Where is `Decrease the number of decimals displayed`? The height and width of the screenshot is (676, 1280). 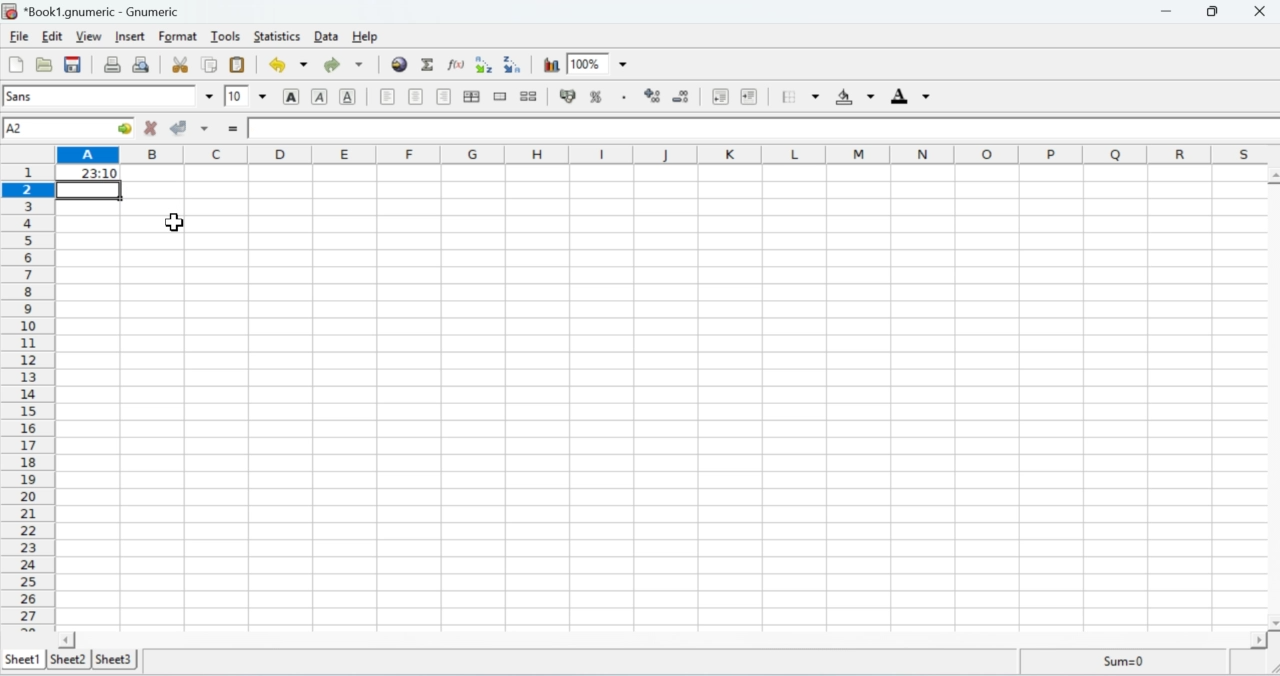 Decrease the number of decimals displayed is located at coordinates (683, 94).